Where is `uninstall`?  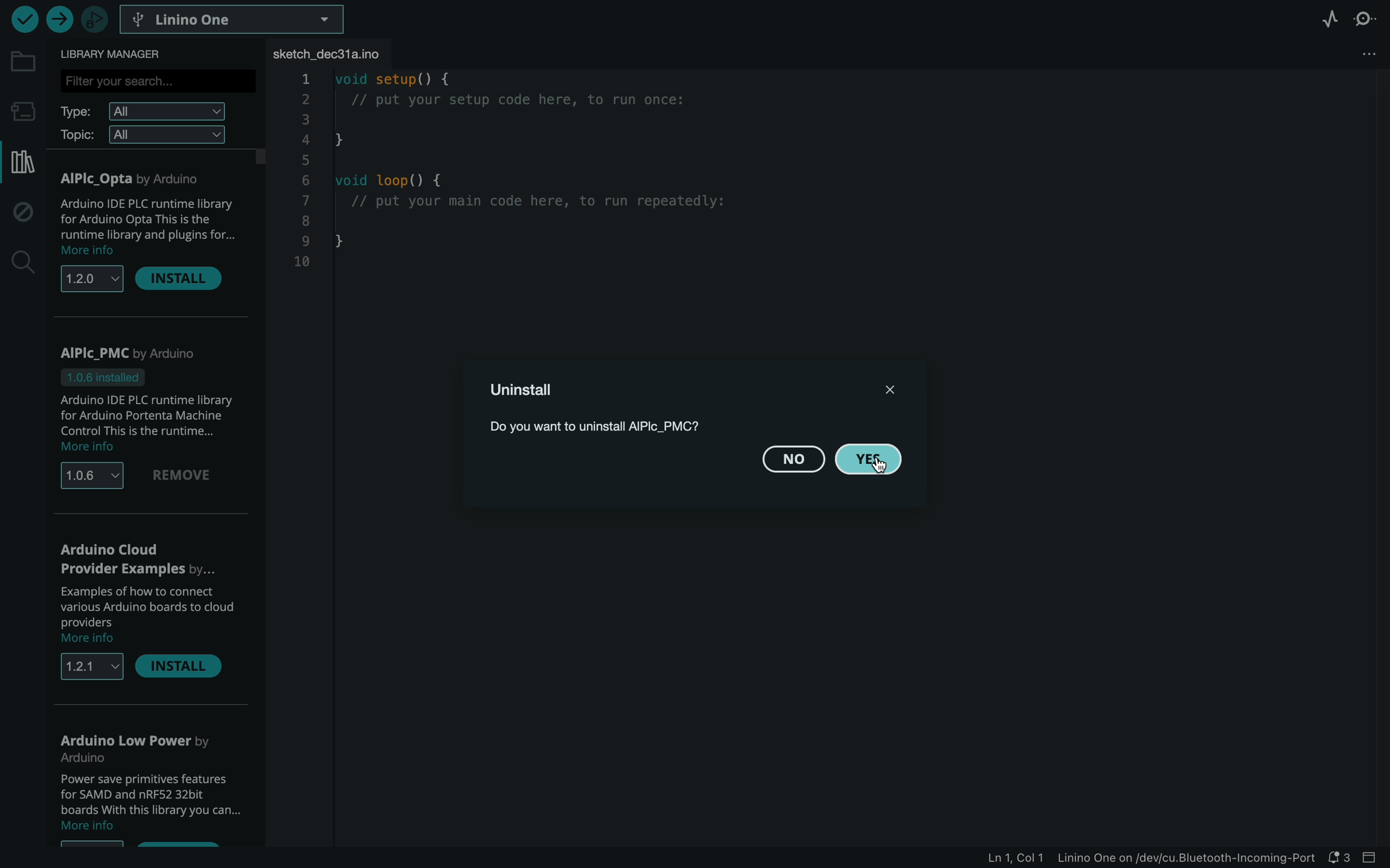
uninstall is located at coordinates (536, 389).